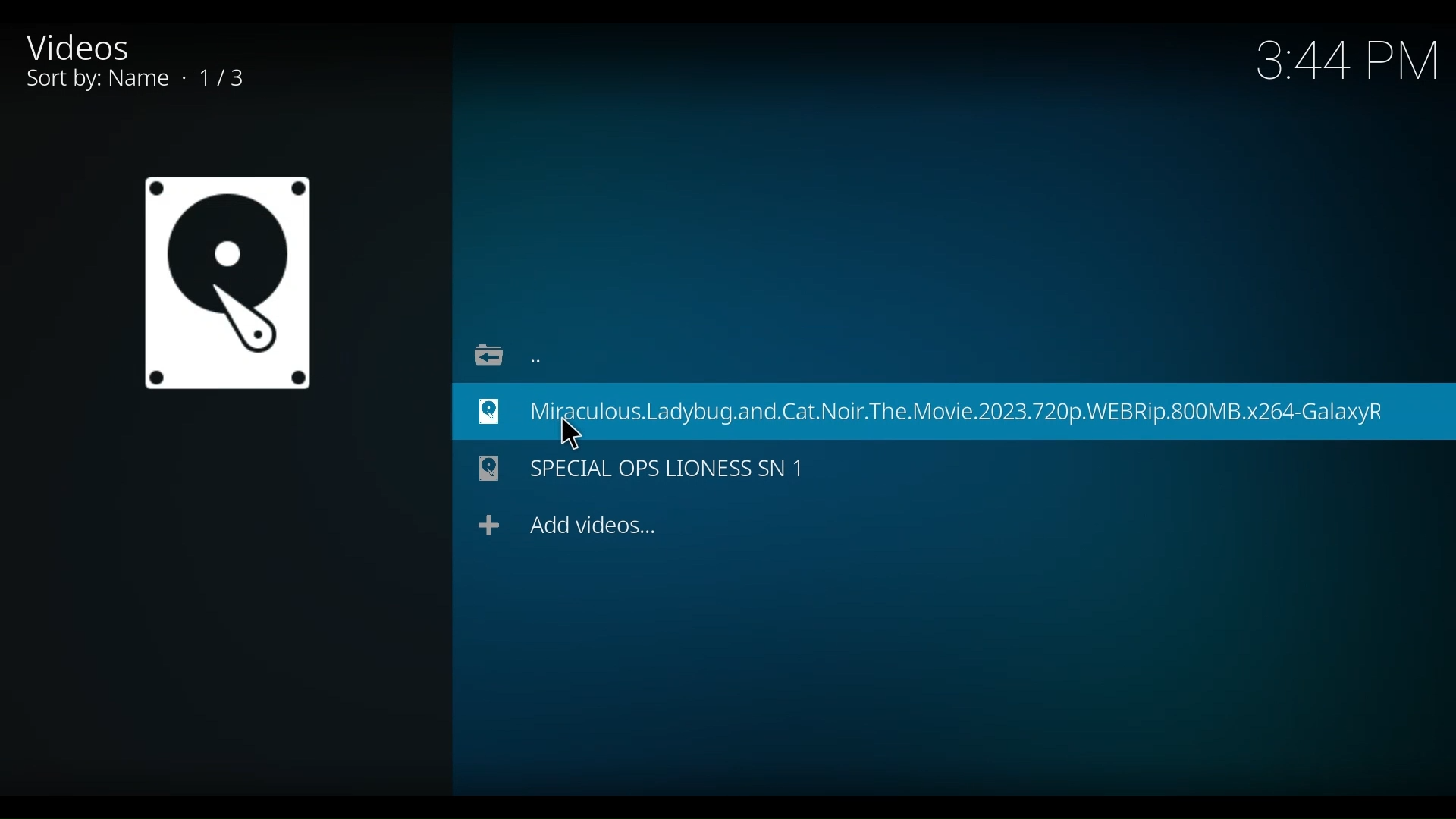 The width and height of the screenshot is (1456, 819). I want to click on Add Videos, so click(568, 525).